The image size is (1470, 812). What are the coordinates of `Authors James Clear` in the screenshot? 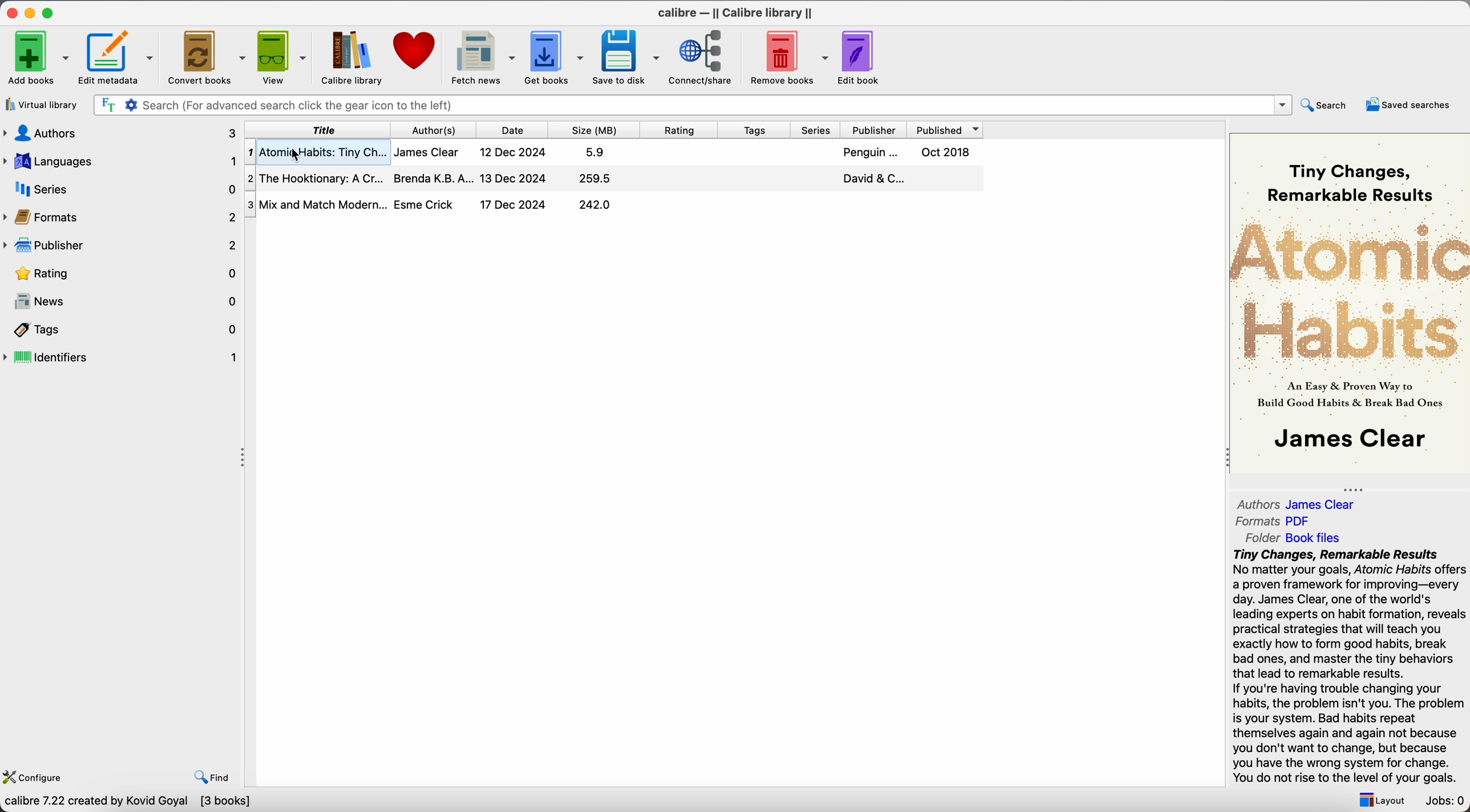 It's located at (1299, 503).